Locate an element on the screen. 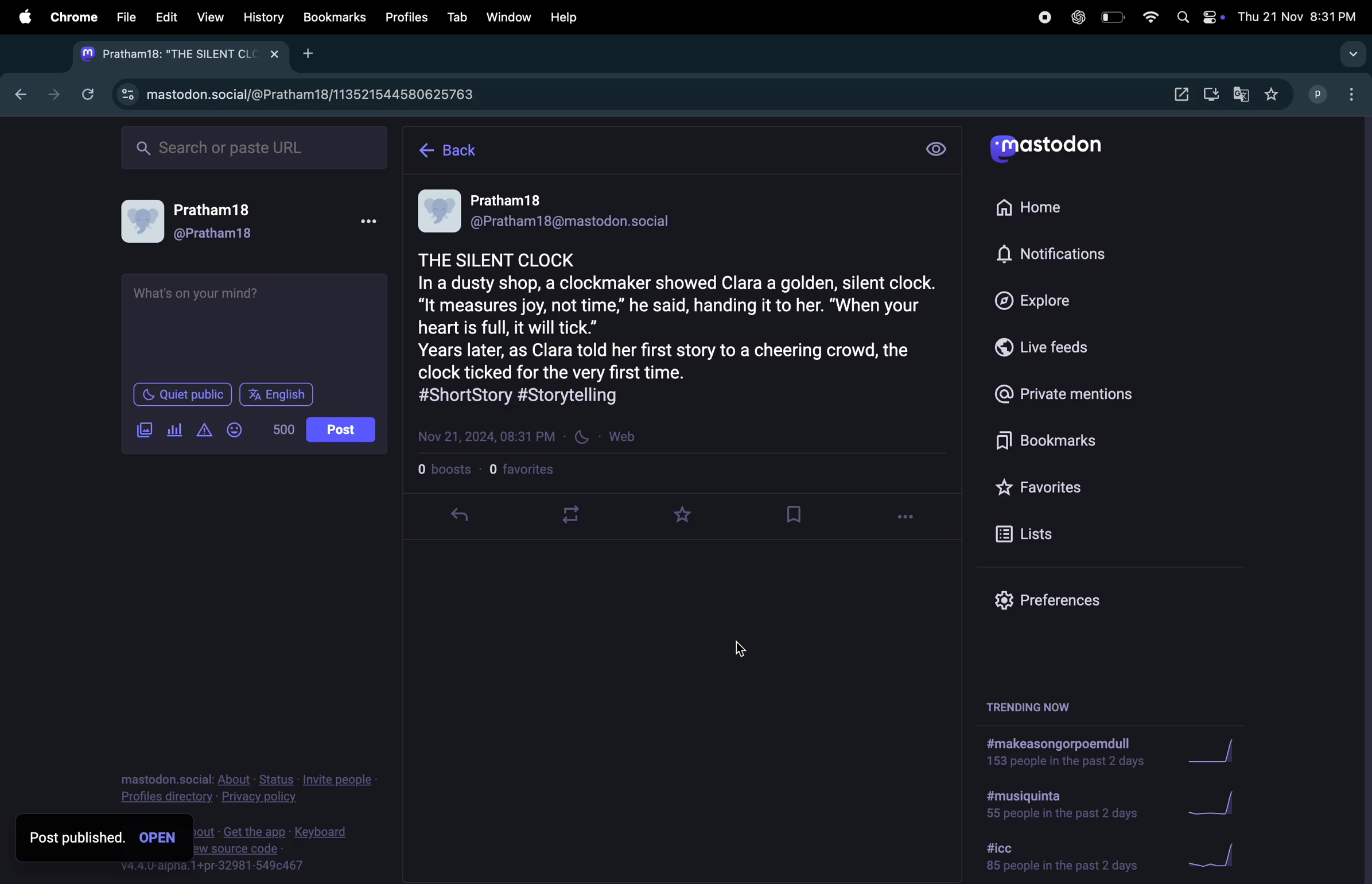 The image size is (1372, 884). textbox is located at coordinates (252, 324).